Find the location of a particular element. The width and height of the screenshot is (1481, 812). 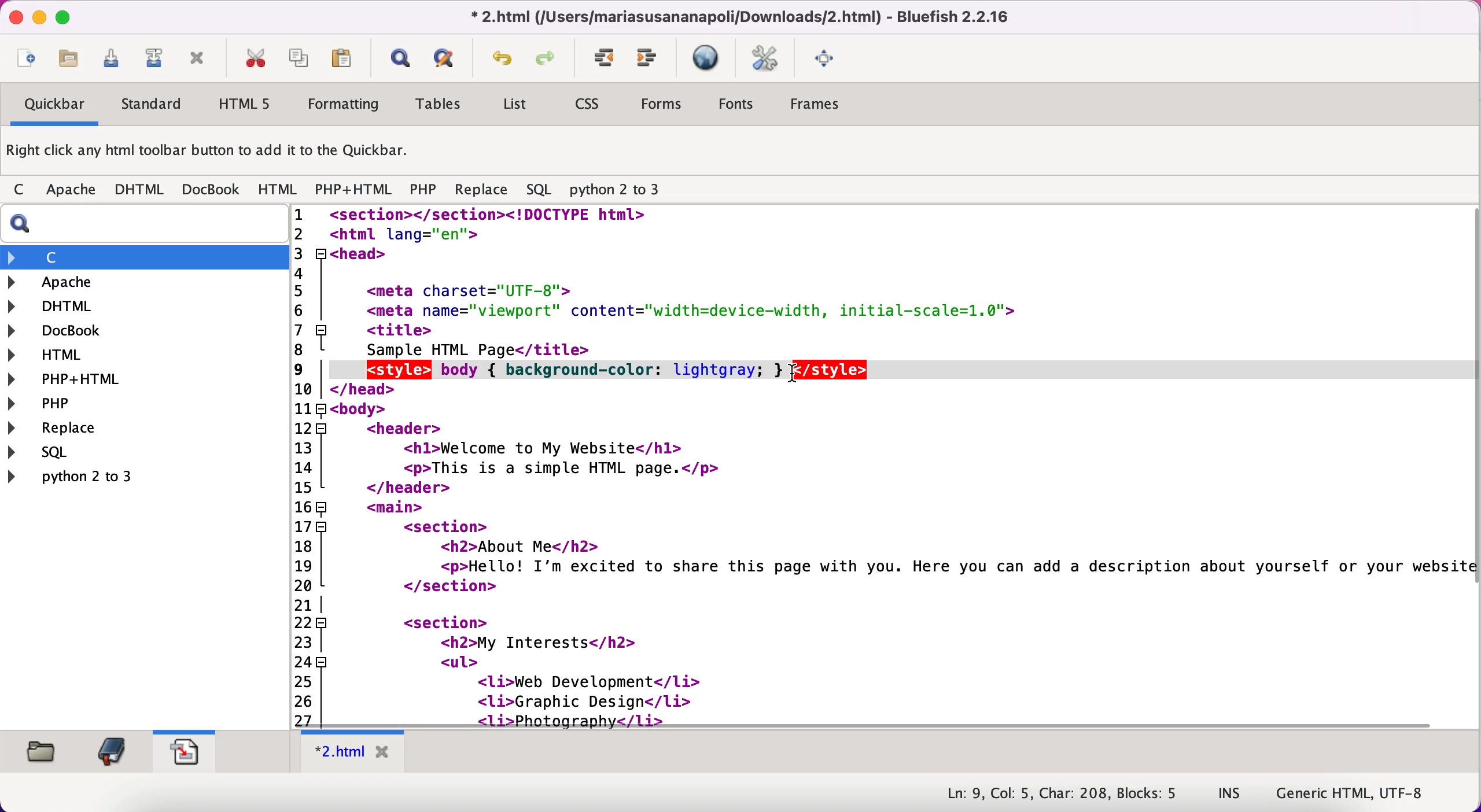

show find bar is located at coordinates (400, 60).